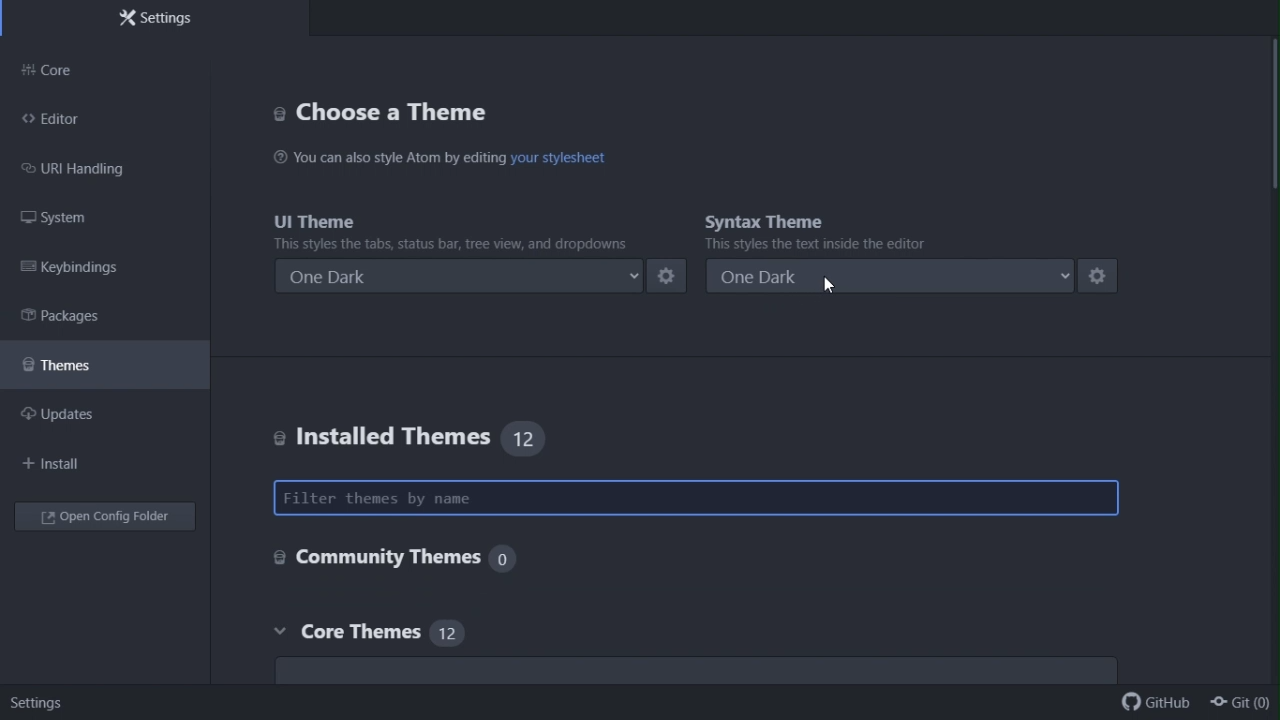 This screenshot has width=1280, height=720. Describe the element at coordinates (110, 519) in the screenshot. I see `Open config folder` at that location.